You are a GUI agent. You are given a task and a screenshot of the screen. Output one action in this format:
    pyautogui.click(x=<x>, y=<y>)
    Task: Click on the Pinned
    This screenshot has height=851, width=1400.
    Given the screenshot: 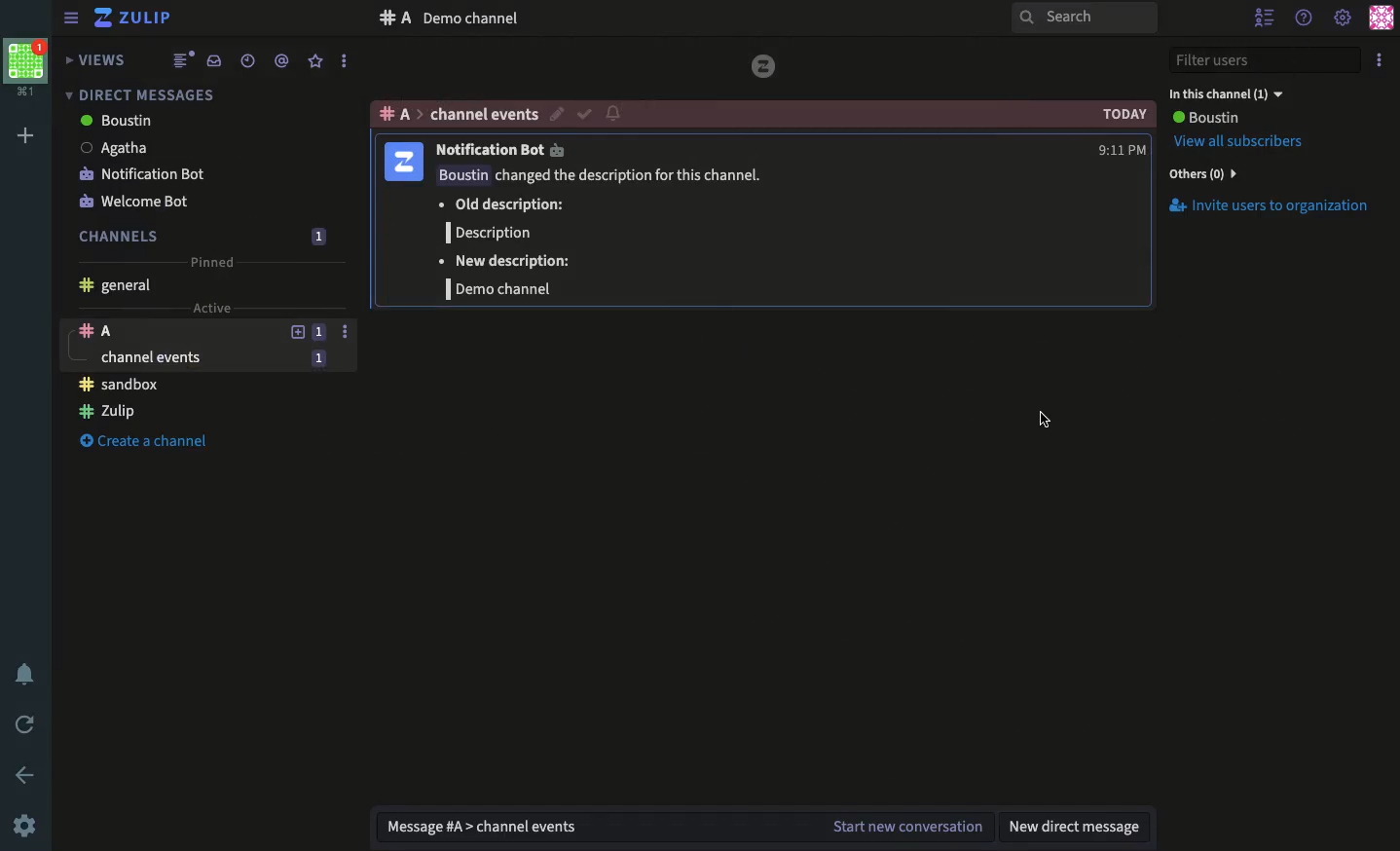 What is the action you would take?
    pyautogui.click(x=212, y=261)
    